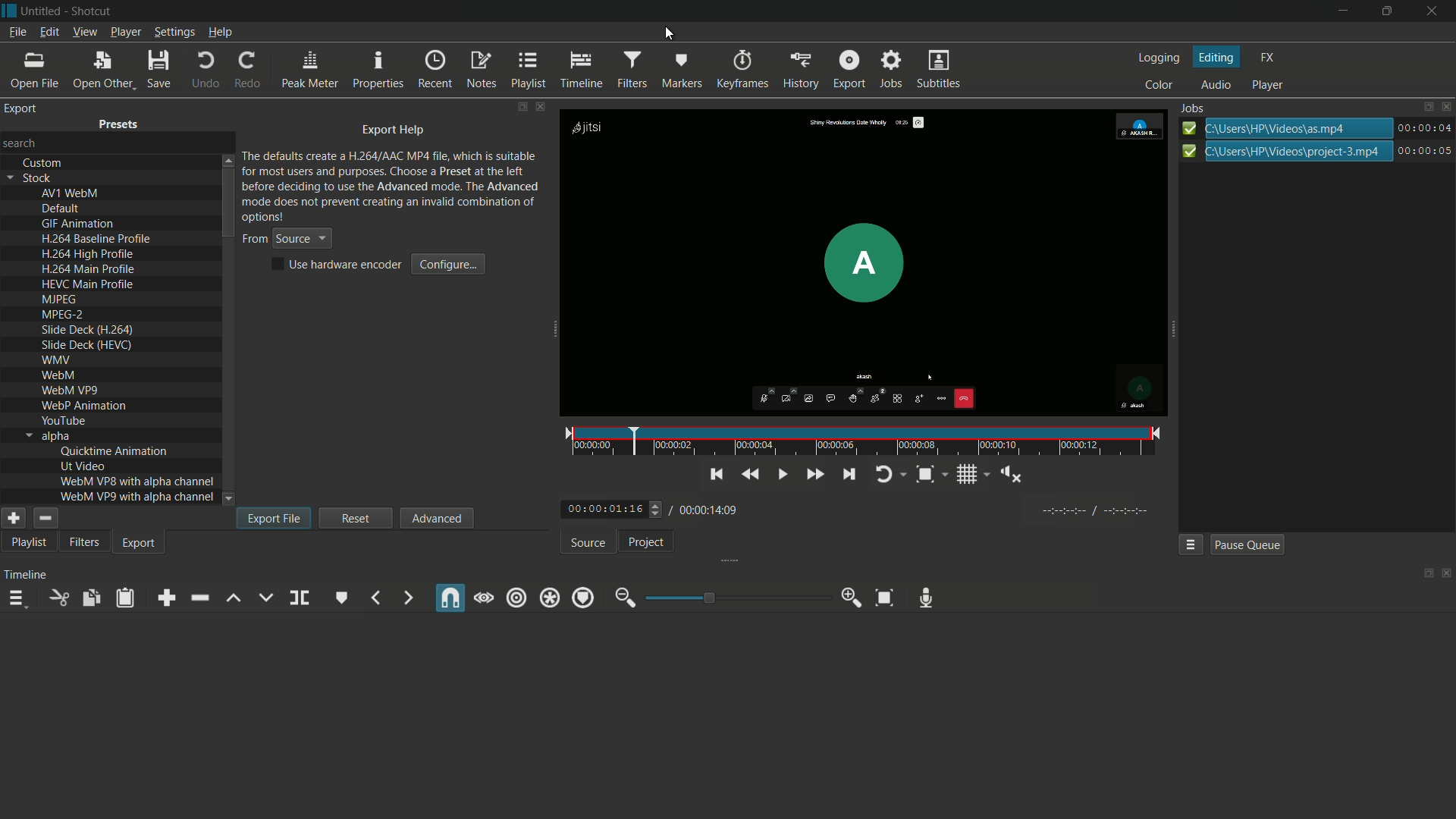  What do you see at coordinates (1191, 544) in the screenshot?
I see `more options` at bounding box center [1191, 544].